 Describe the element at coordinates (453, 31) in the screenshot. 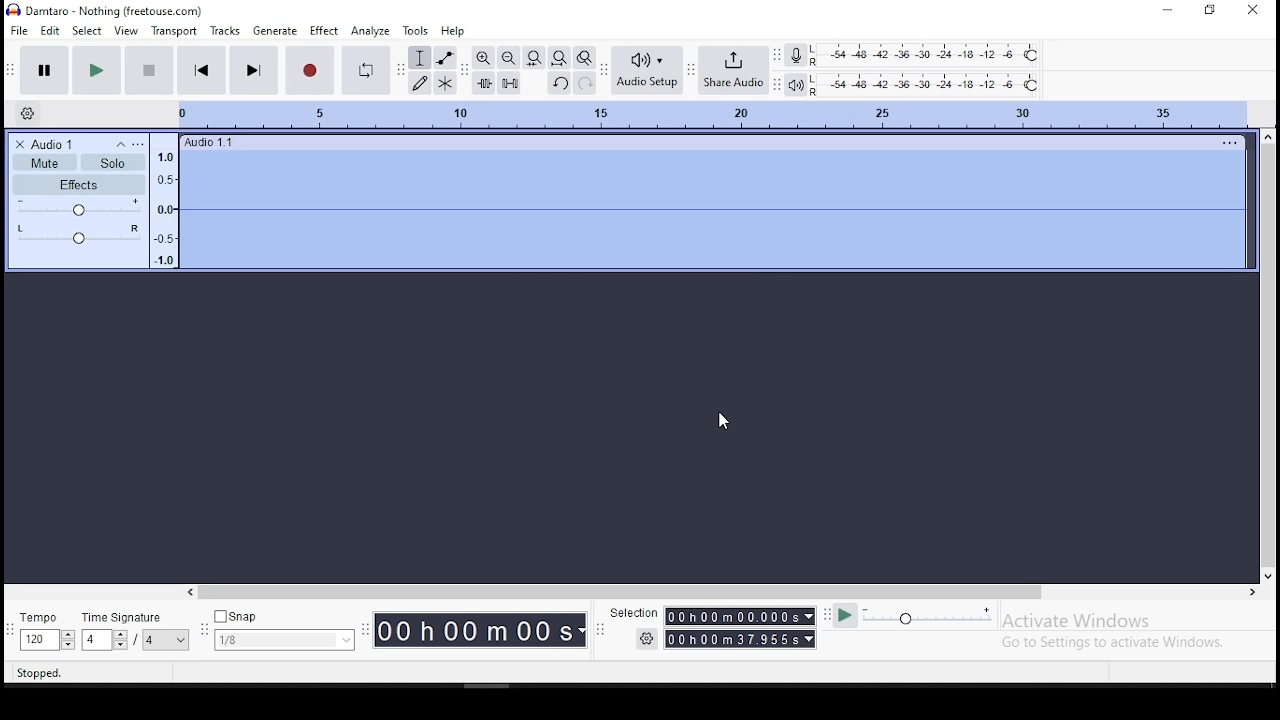

I see `help` at that location.